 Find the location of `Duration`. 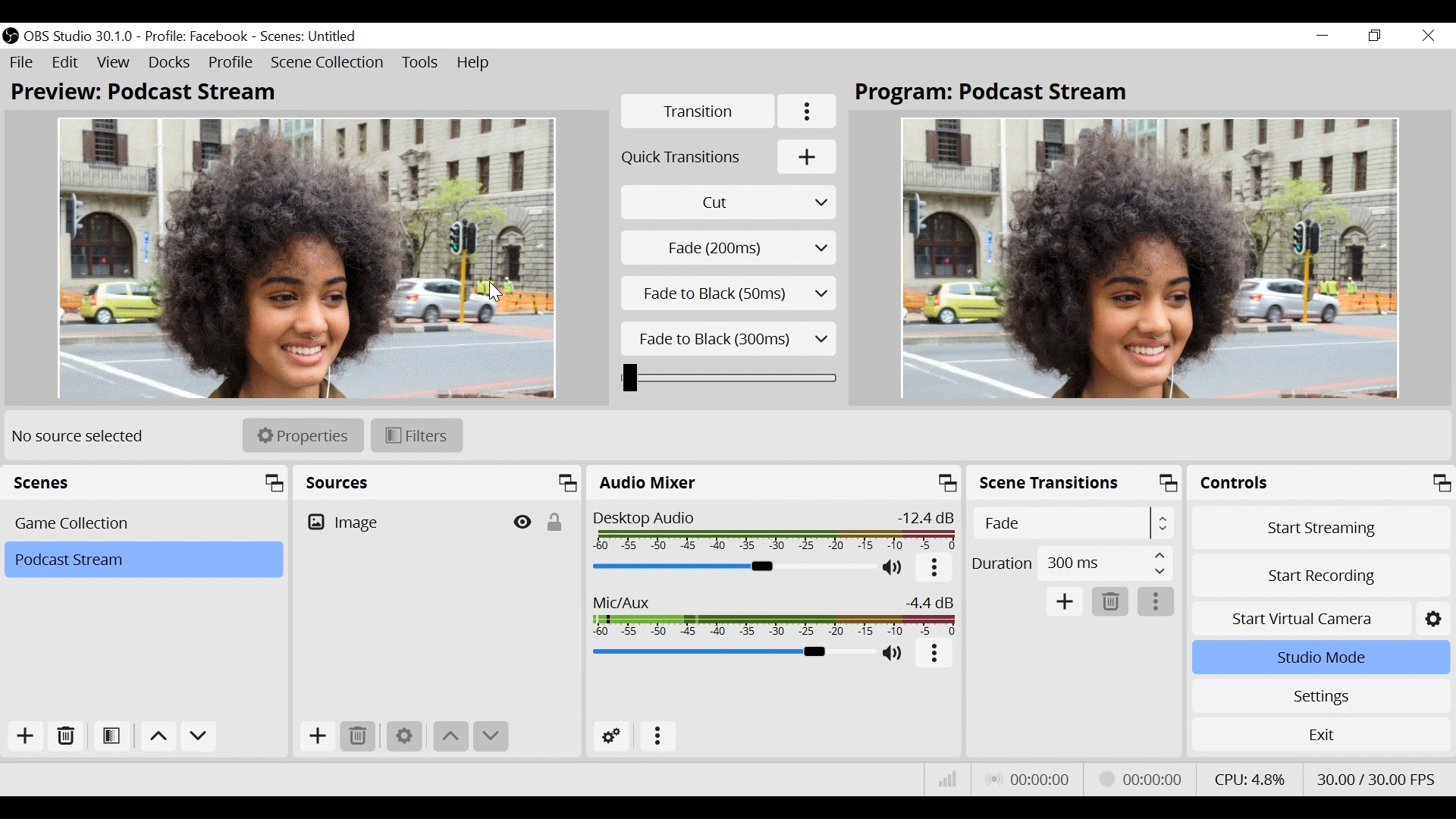

Duration is located at coordinates (1073, 562).